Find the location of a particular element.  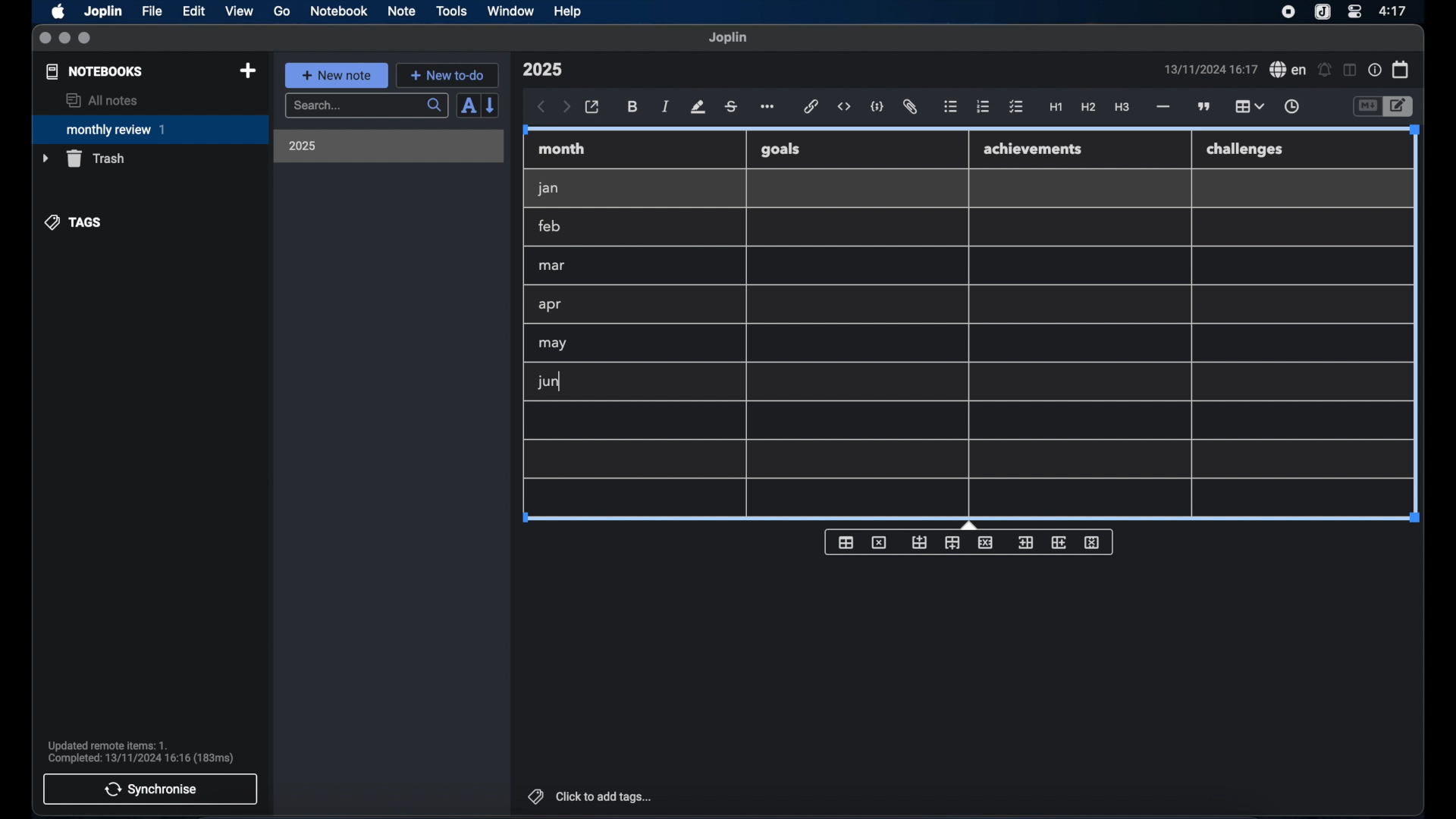

click to add tags is located at coordinates (591, 796).